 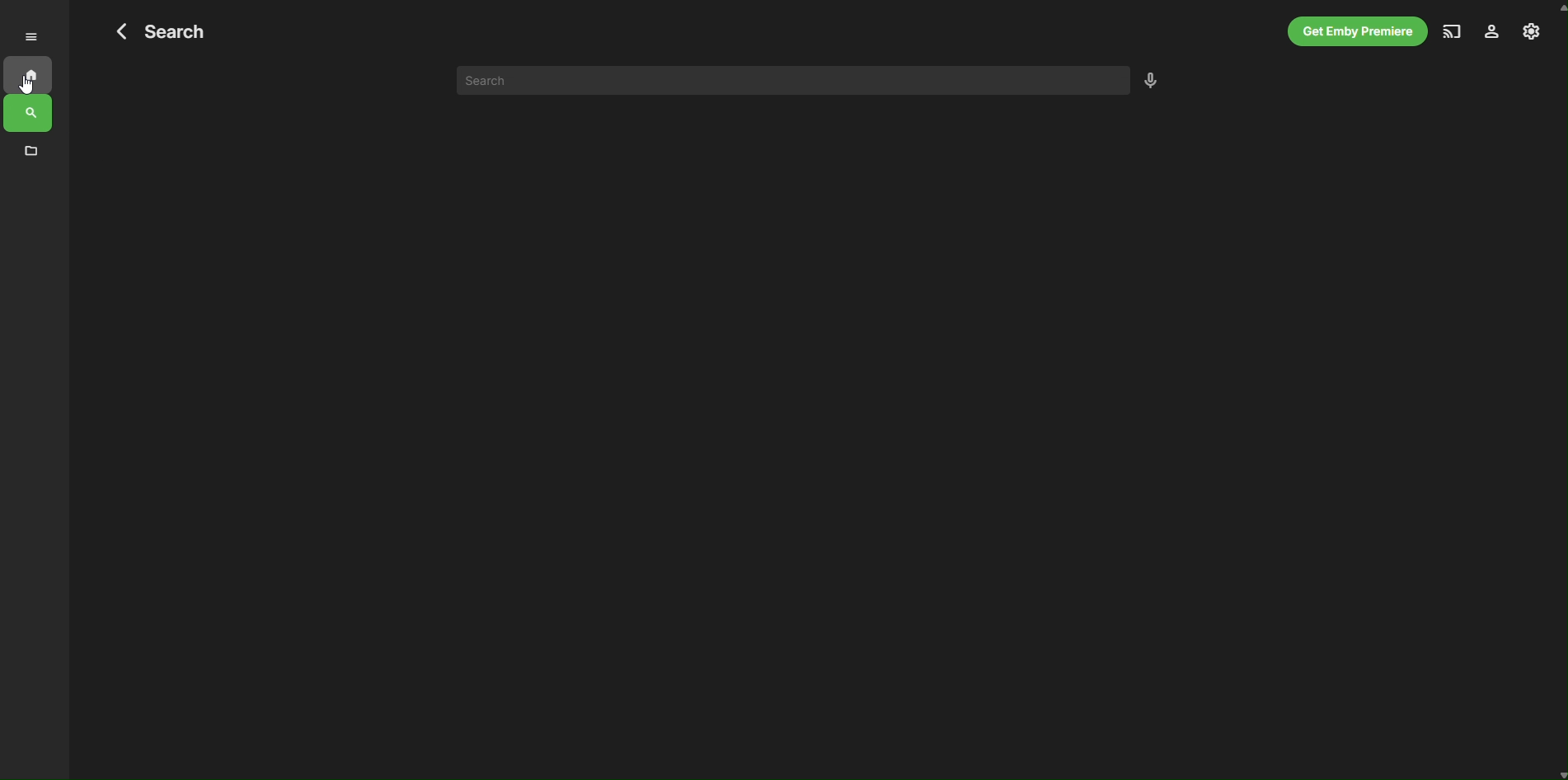 I want to click on Broadcast, so click(x=1454, y=31).